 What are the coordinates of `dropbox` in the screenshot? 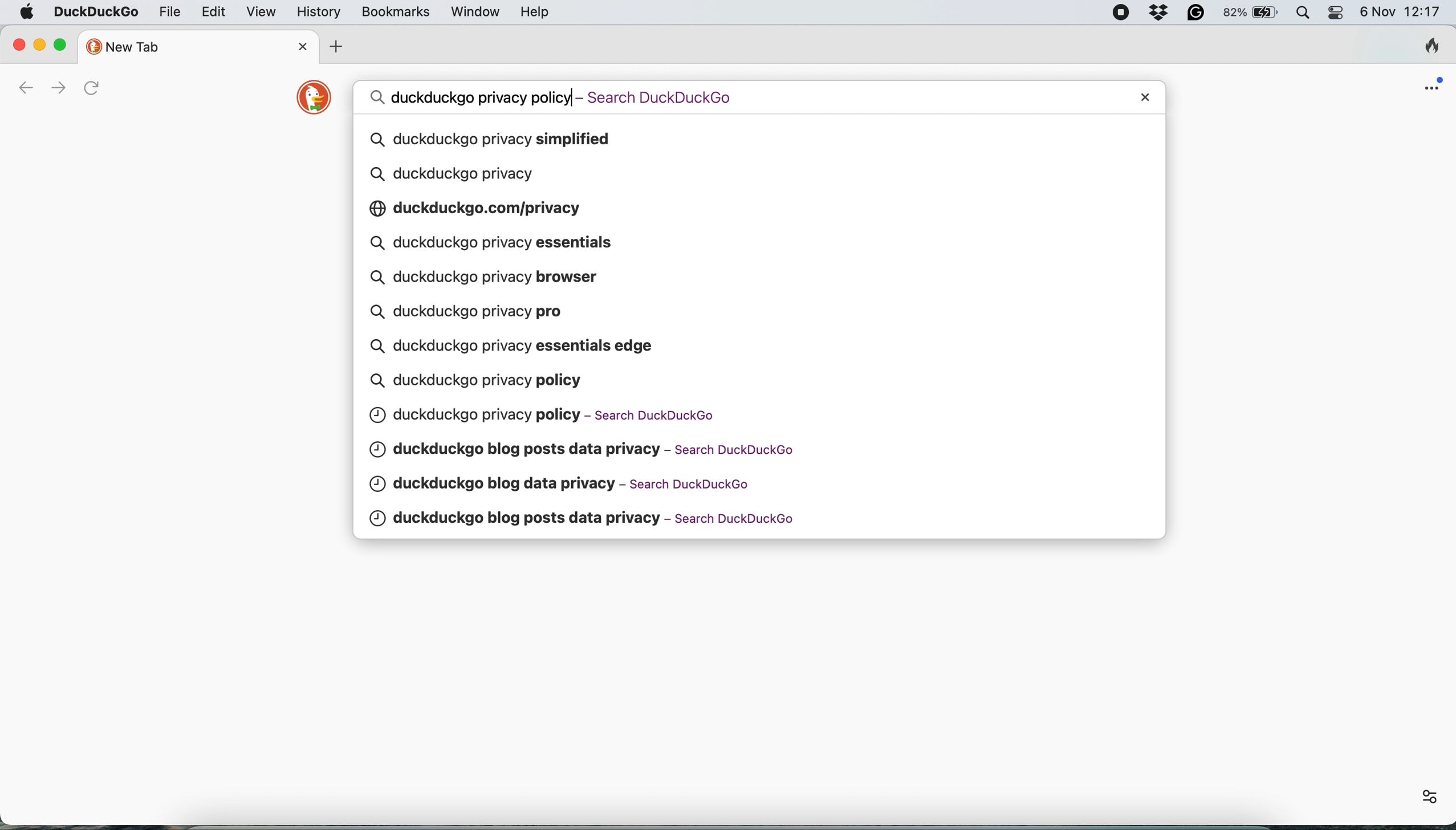 It's located at (1160, 14).